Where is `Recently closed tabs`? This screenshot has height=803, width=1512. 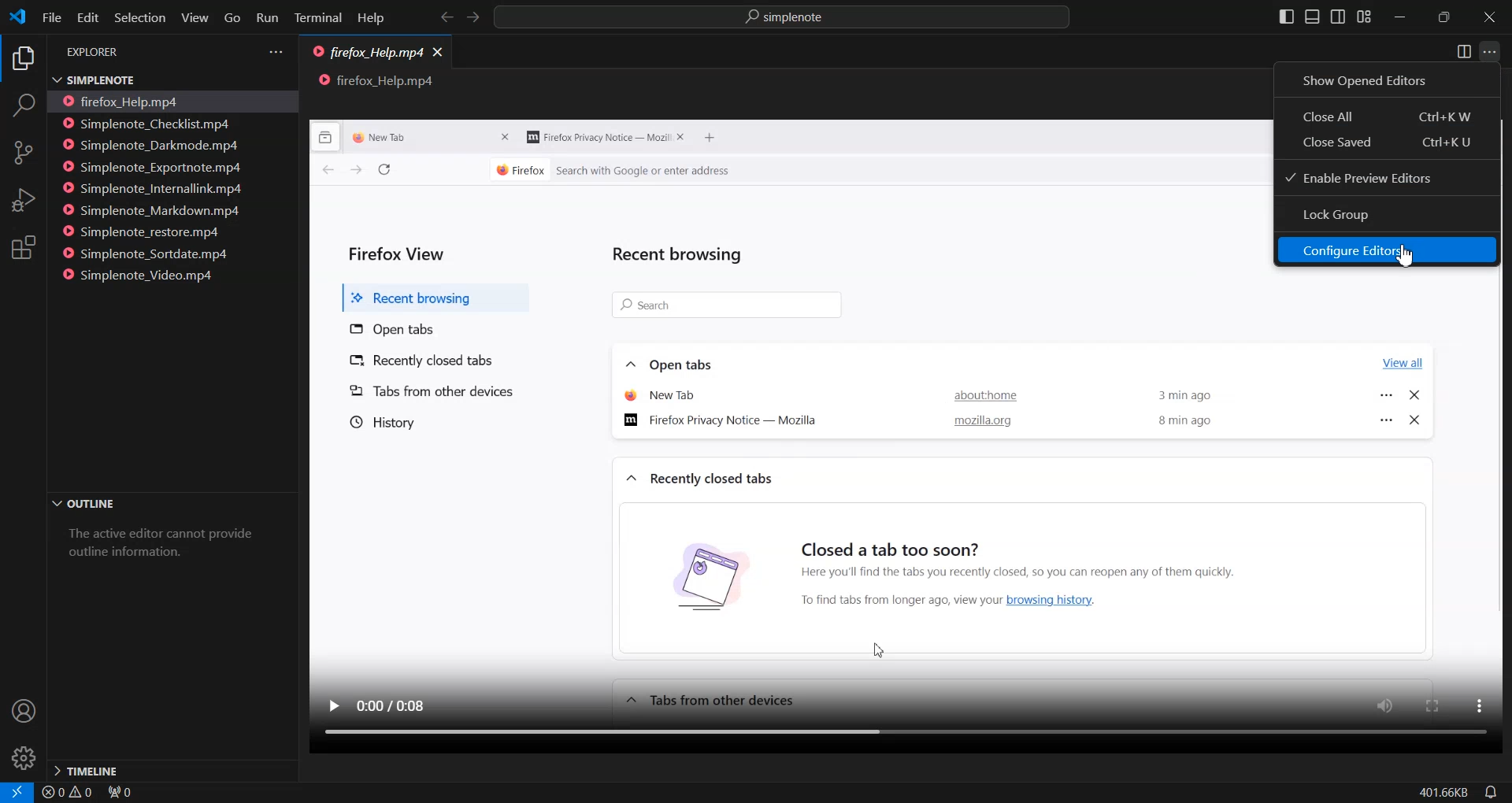
Recently closed tabs is located at coordinates (442, 359).